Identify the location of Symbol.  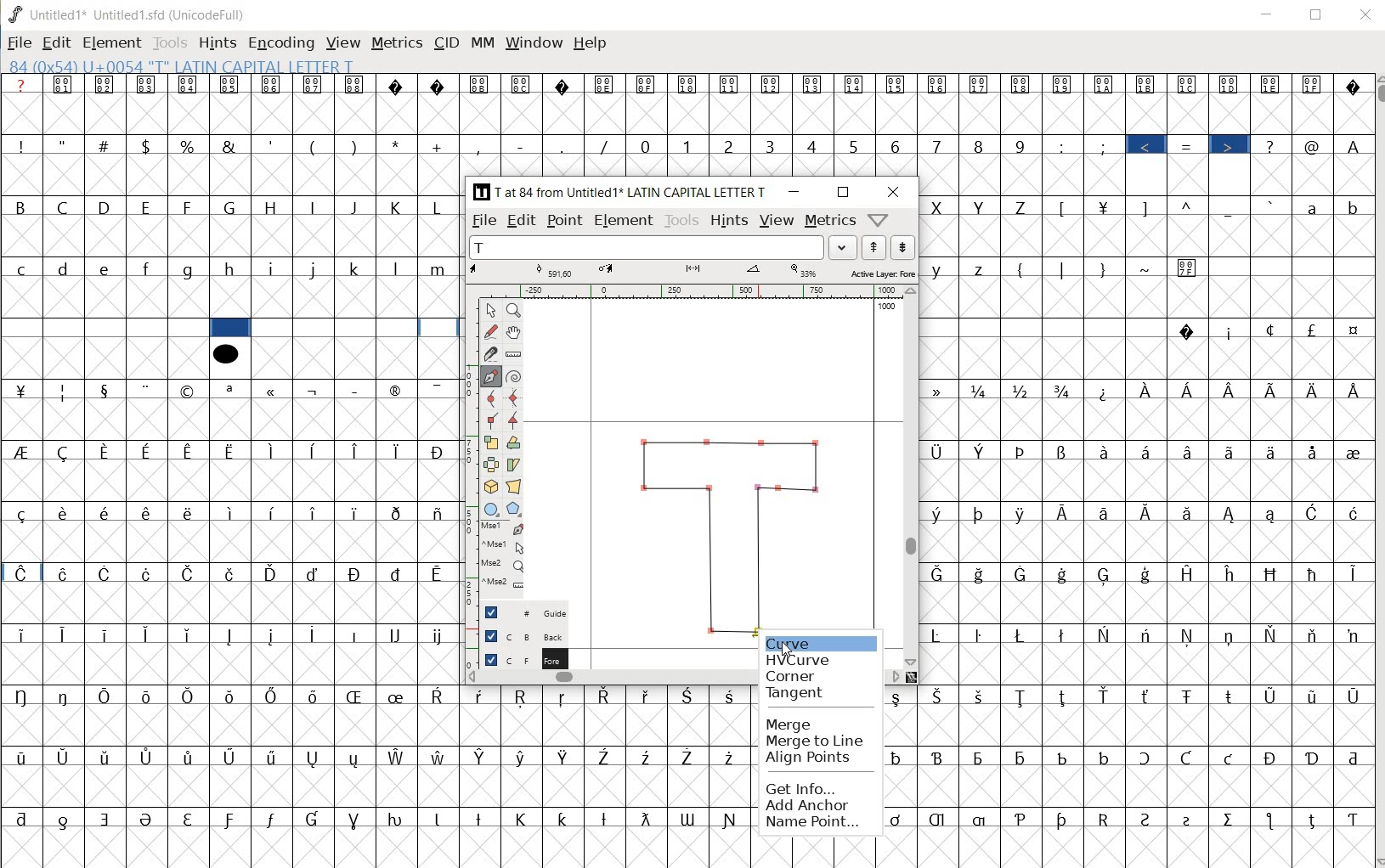
(1063, 452).